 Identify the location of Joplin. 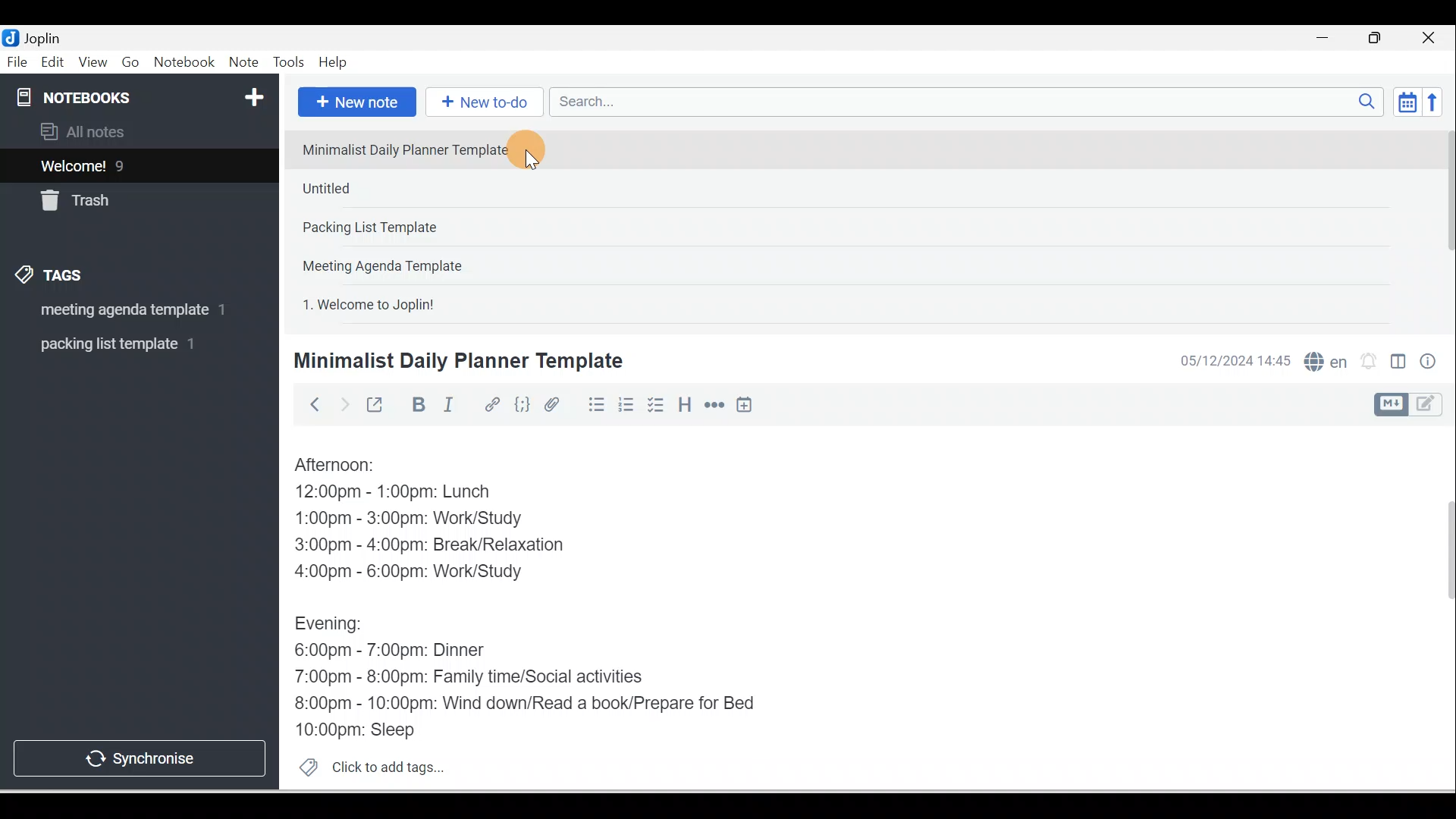
(46, 36).